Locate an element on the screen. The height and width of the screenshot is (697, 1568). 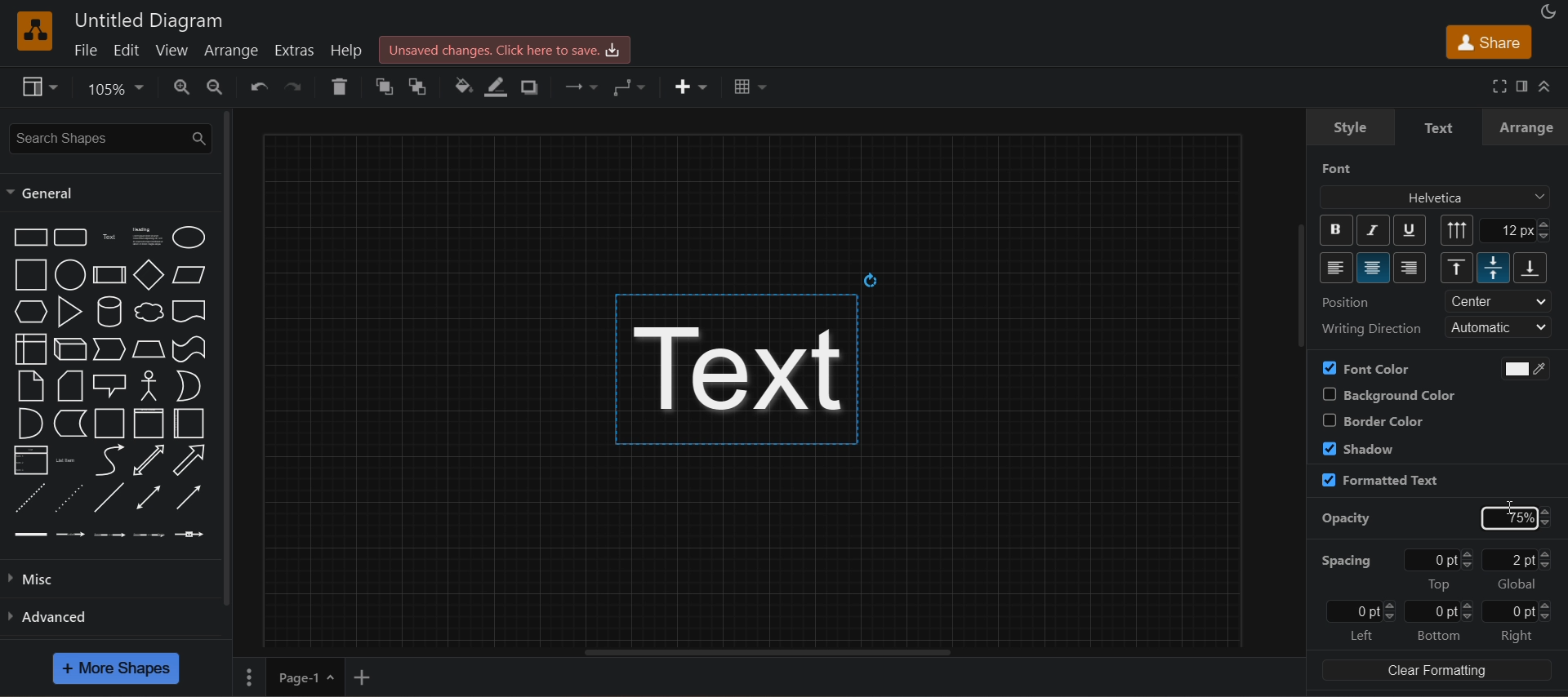
cylinder is located at coordinates (110, 312).